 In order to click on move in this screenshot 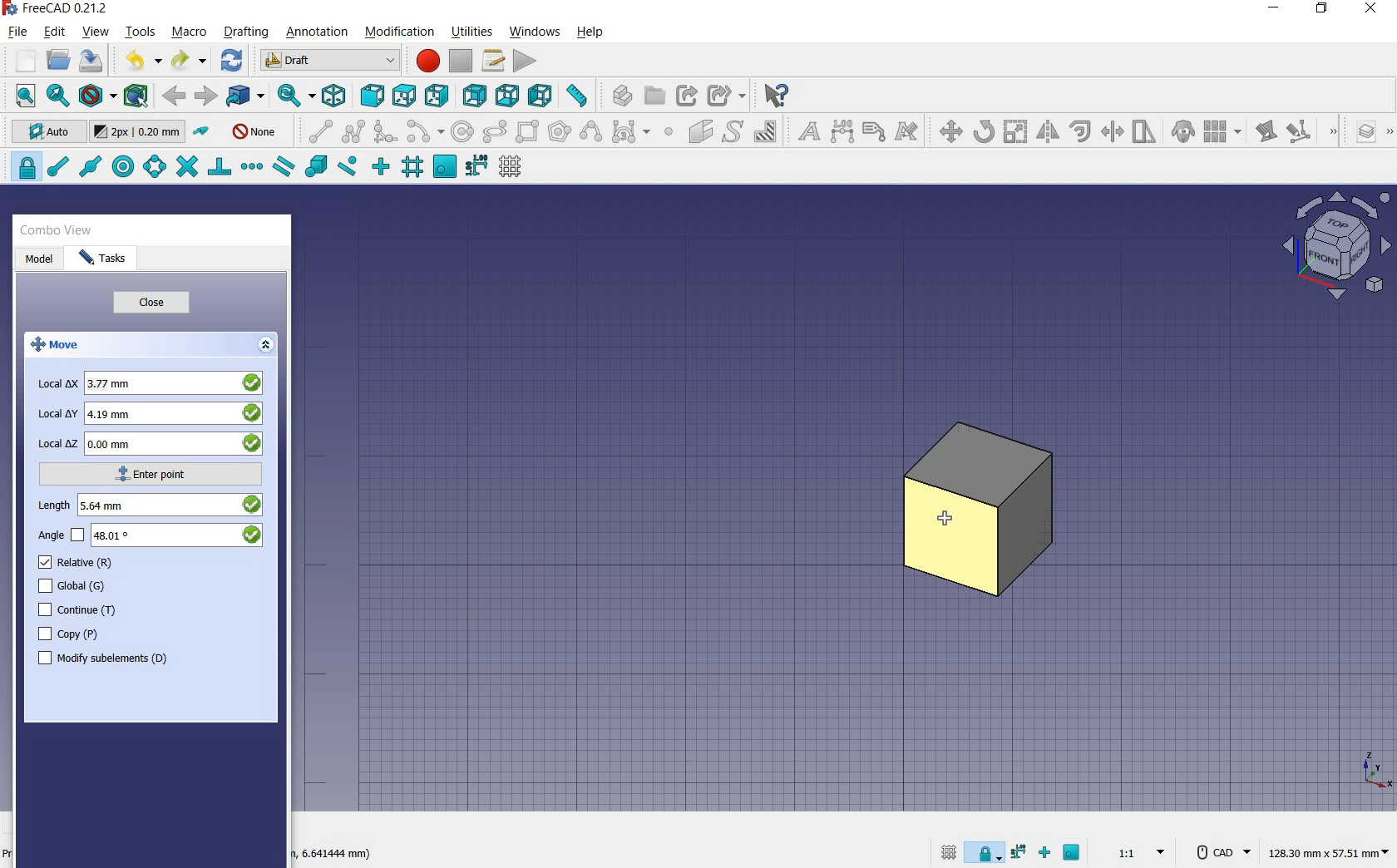, I will do `click(947, 131)`.